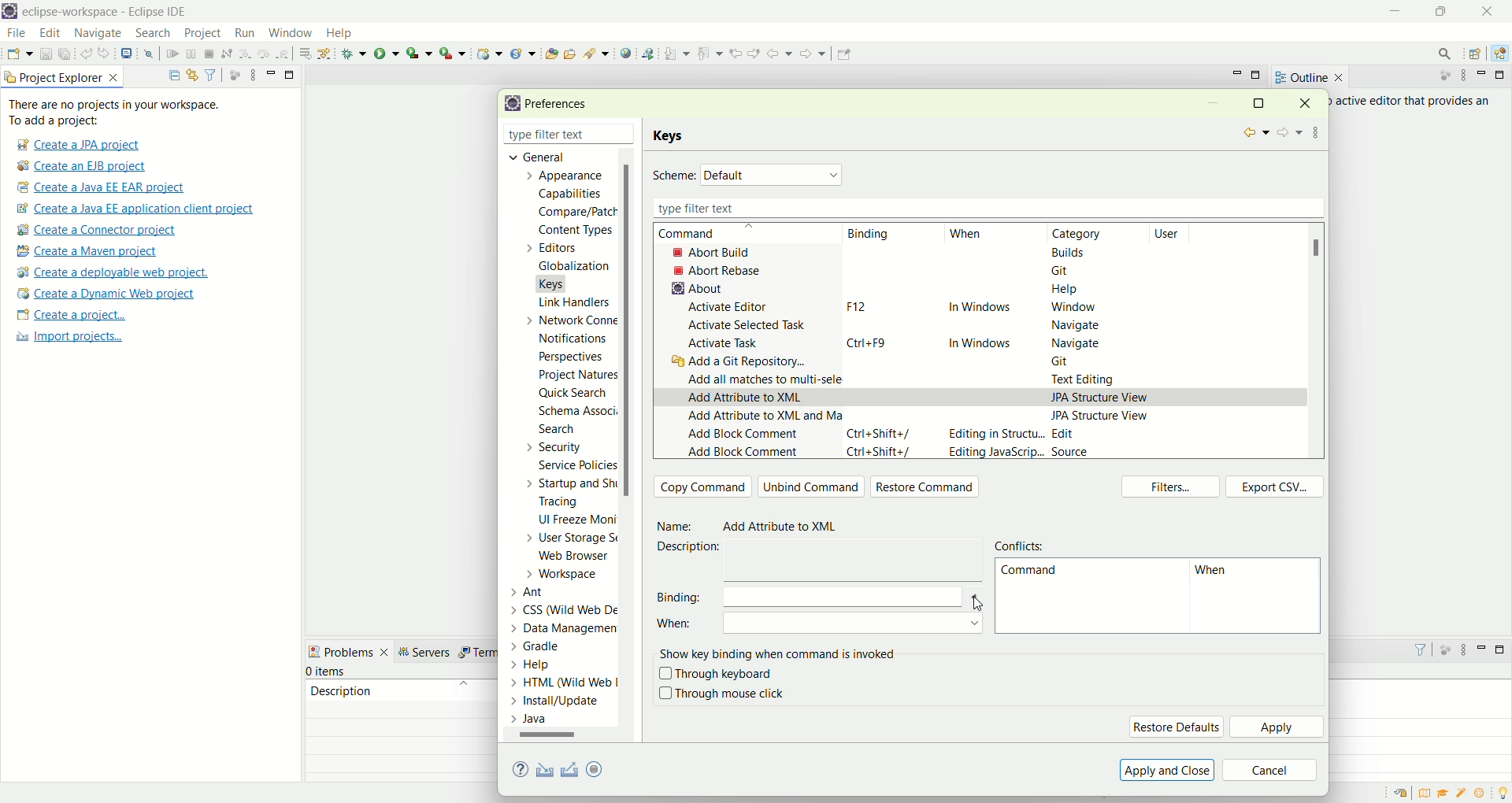 This screenshot has width=1512, height=803. I want to click on back, so click(783, 53).